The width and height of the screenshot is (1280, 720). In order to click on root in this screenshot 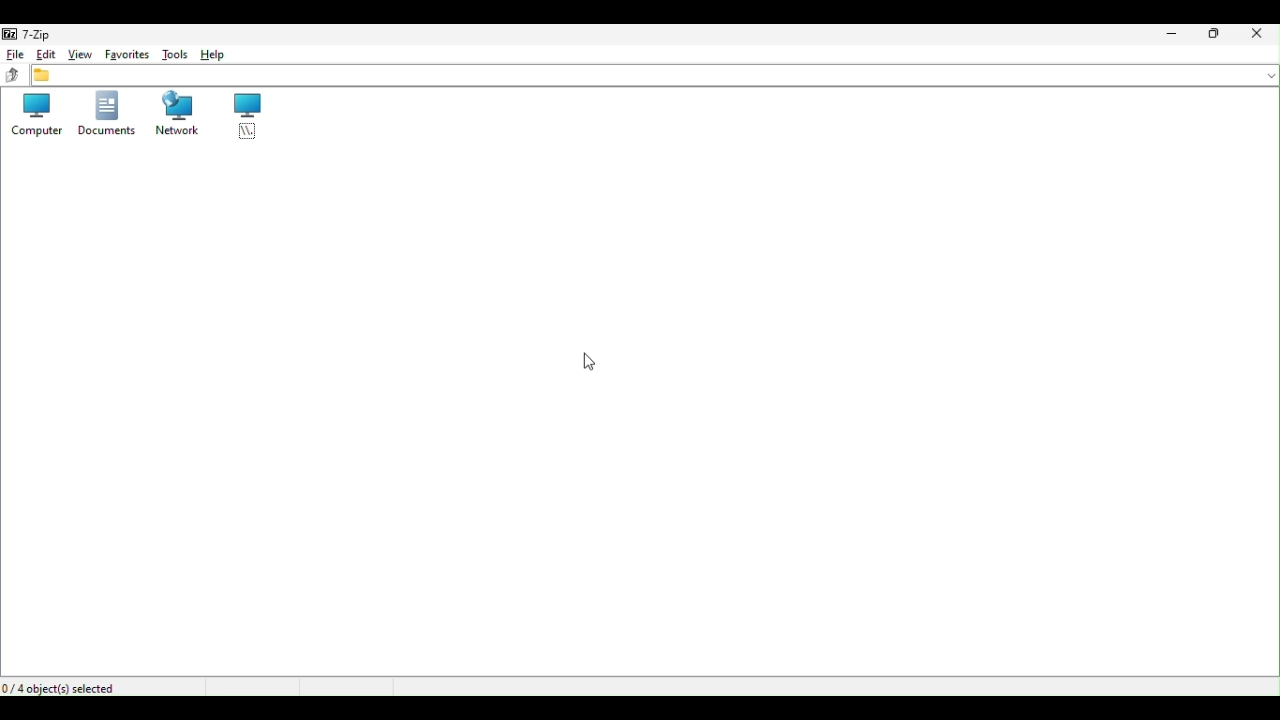, I will do `click(244, 115)`.